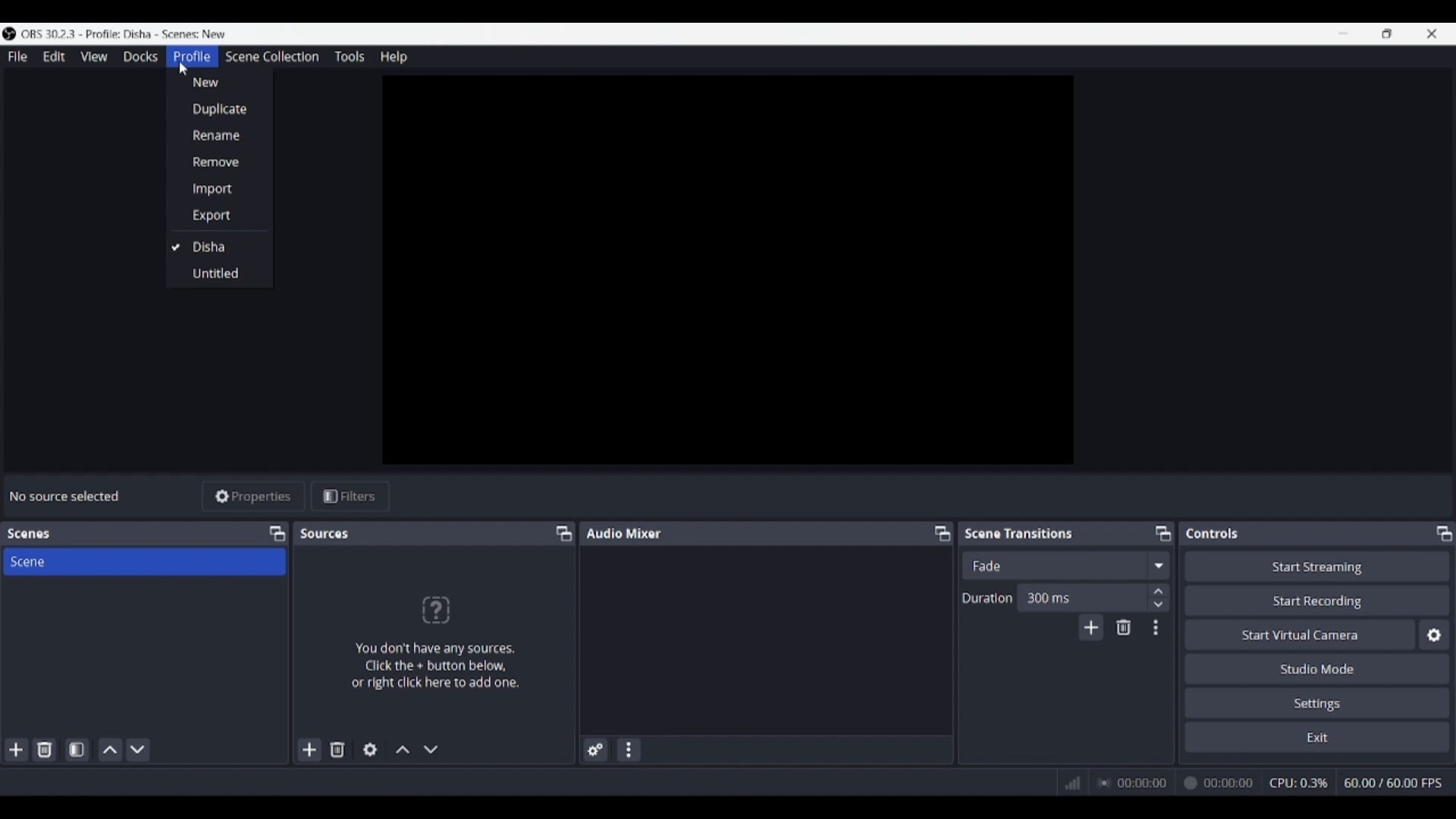 Image resolution: width=1456 pixels, height=819 pixels. Describe the element at coordinates (1317, 668) in the screenshot. I see `Studio mode` at that location.